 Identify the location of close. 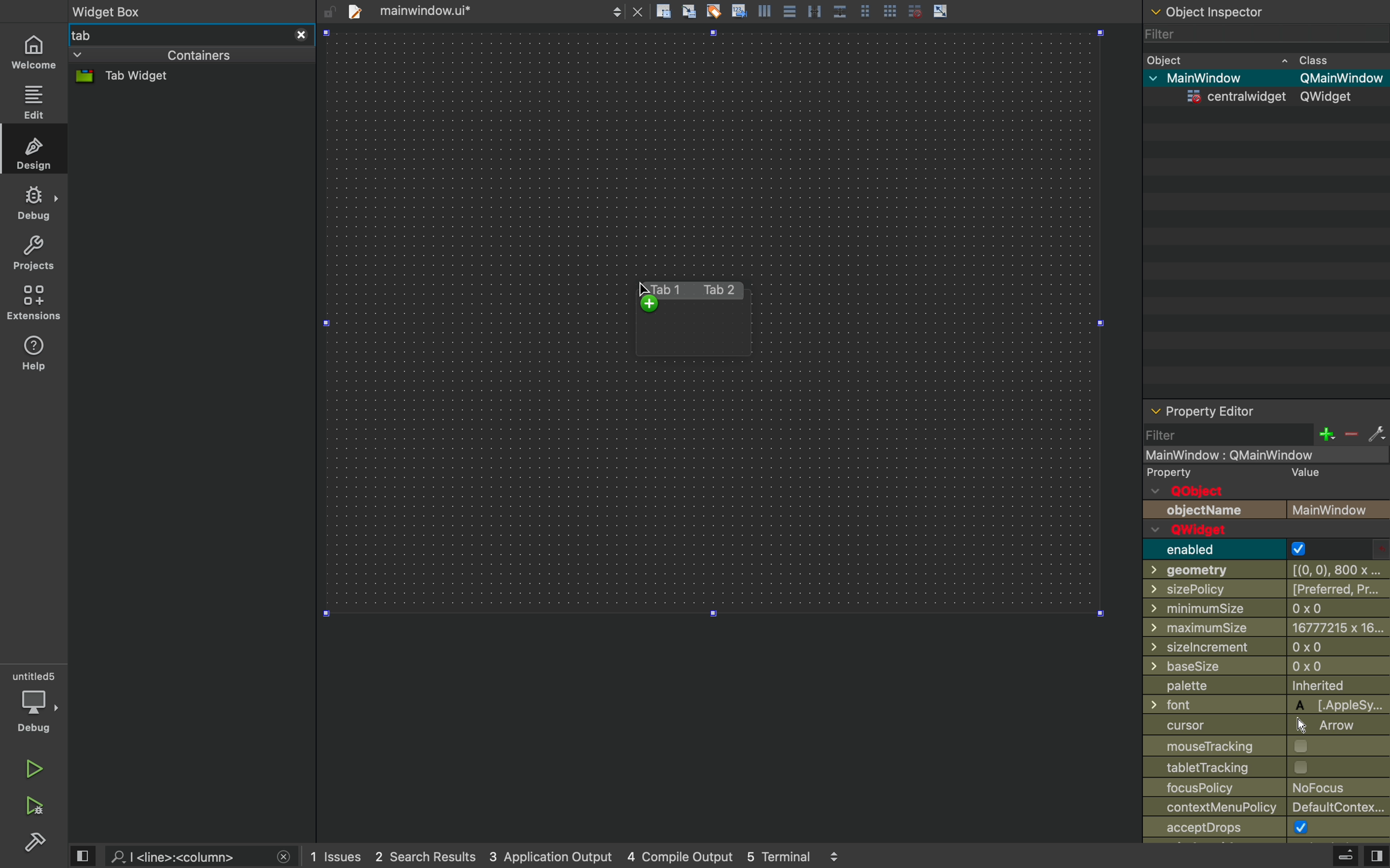
(284, 858).